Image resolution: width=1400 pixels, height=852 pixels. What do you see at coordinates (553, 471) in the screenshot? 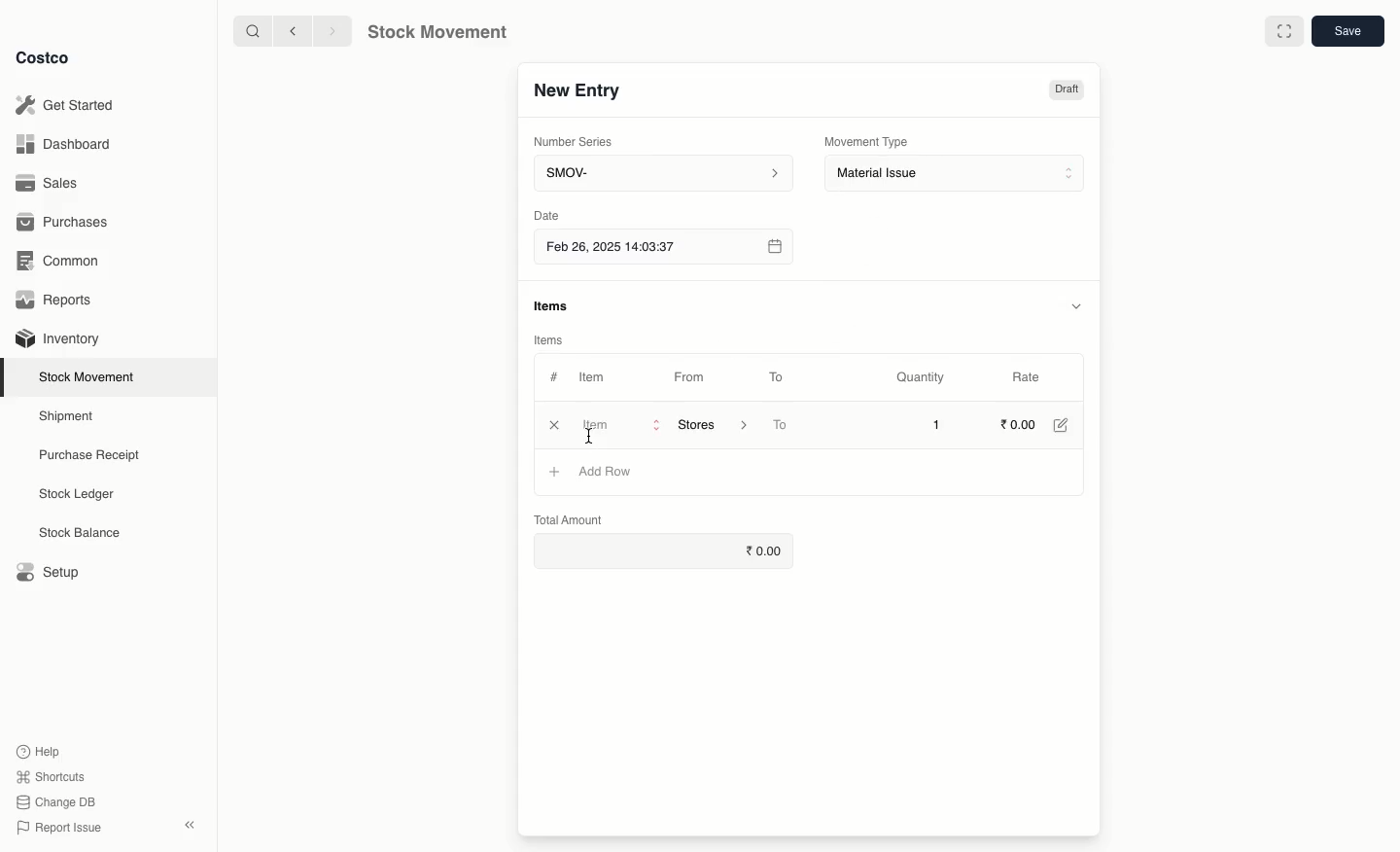
I see `+` at bounding box center [553, 471].